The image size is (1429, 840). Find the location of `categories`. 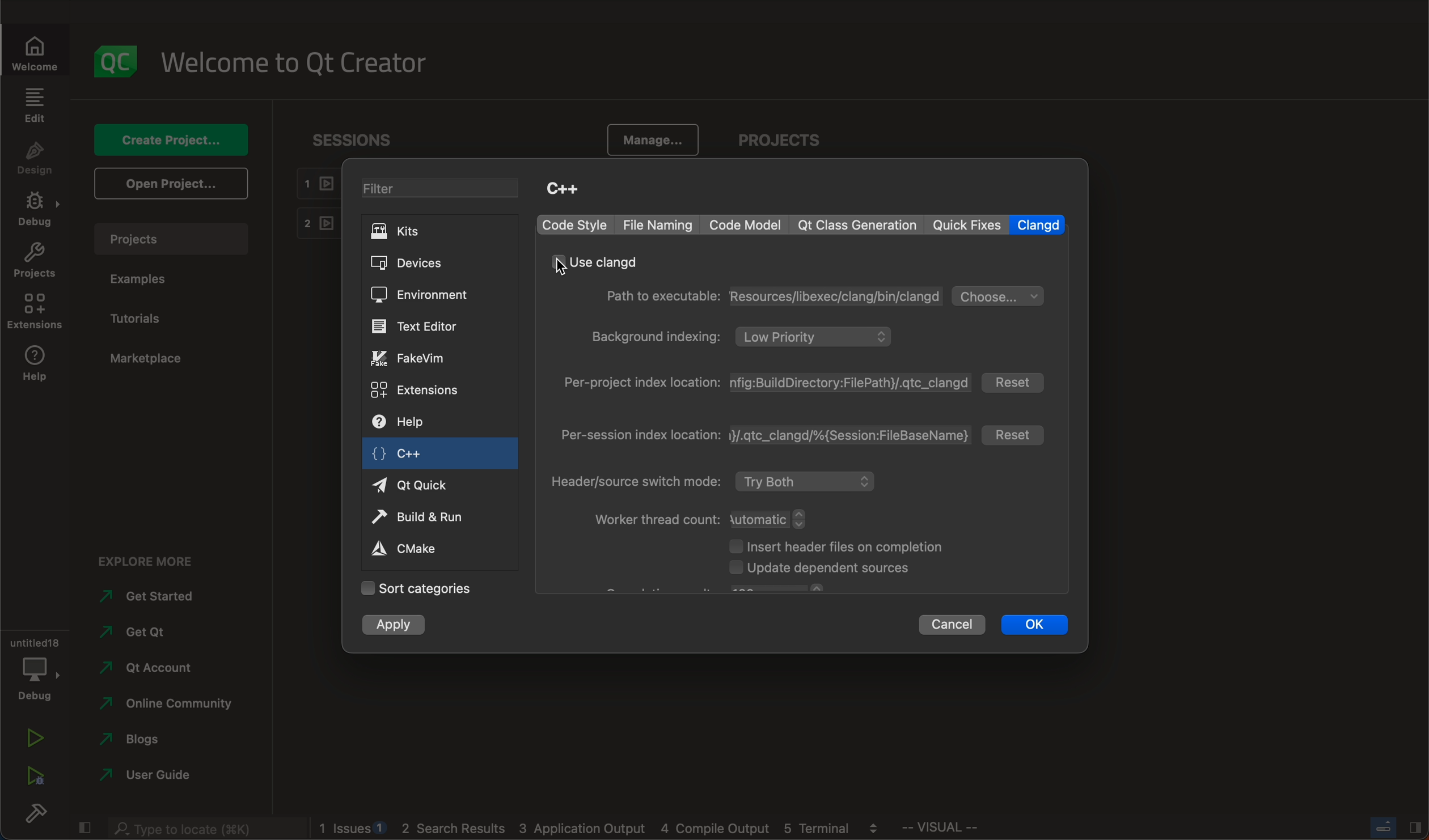

categories is located at coordinates (427, 591).